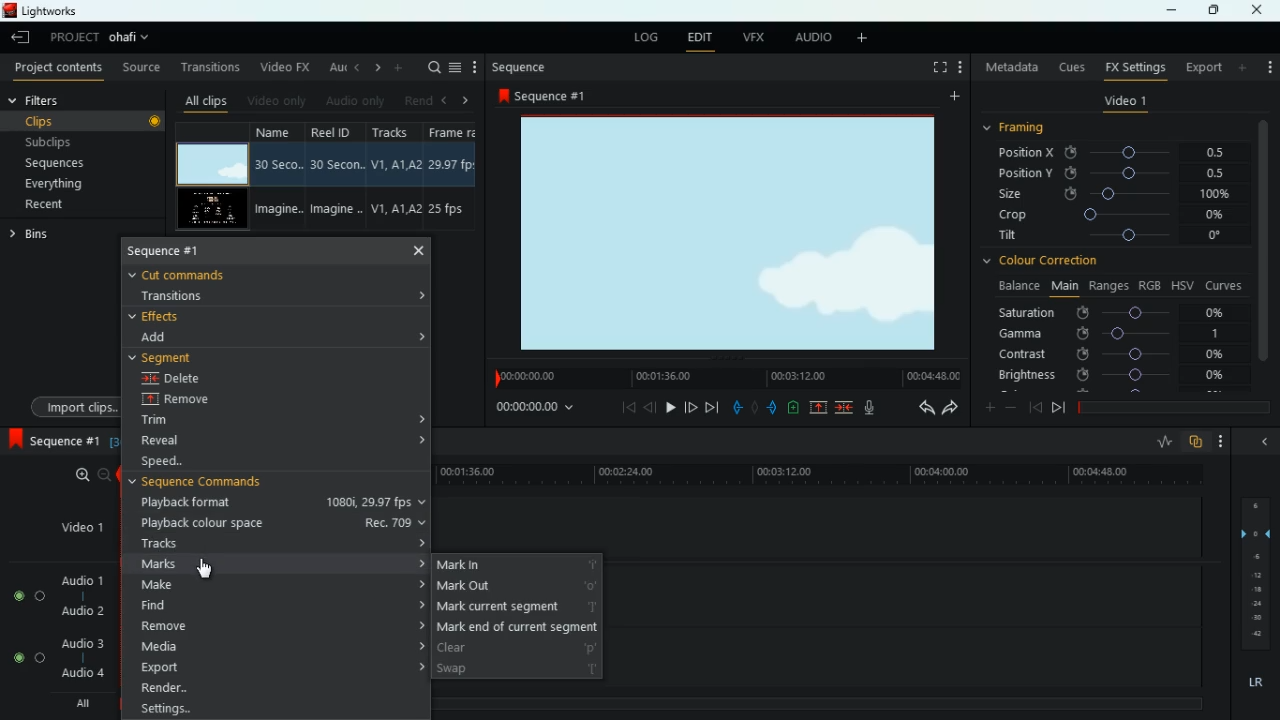 This screenshot has height=720, width=1280. What do you see at coordinates (538, 408) in the screenshot?
I see `00:00:00:00(time)` at bounding box center [538, 408].